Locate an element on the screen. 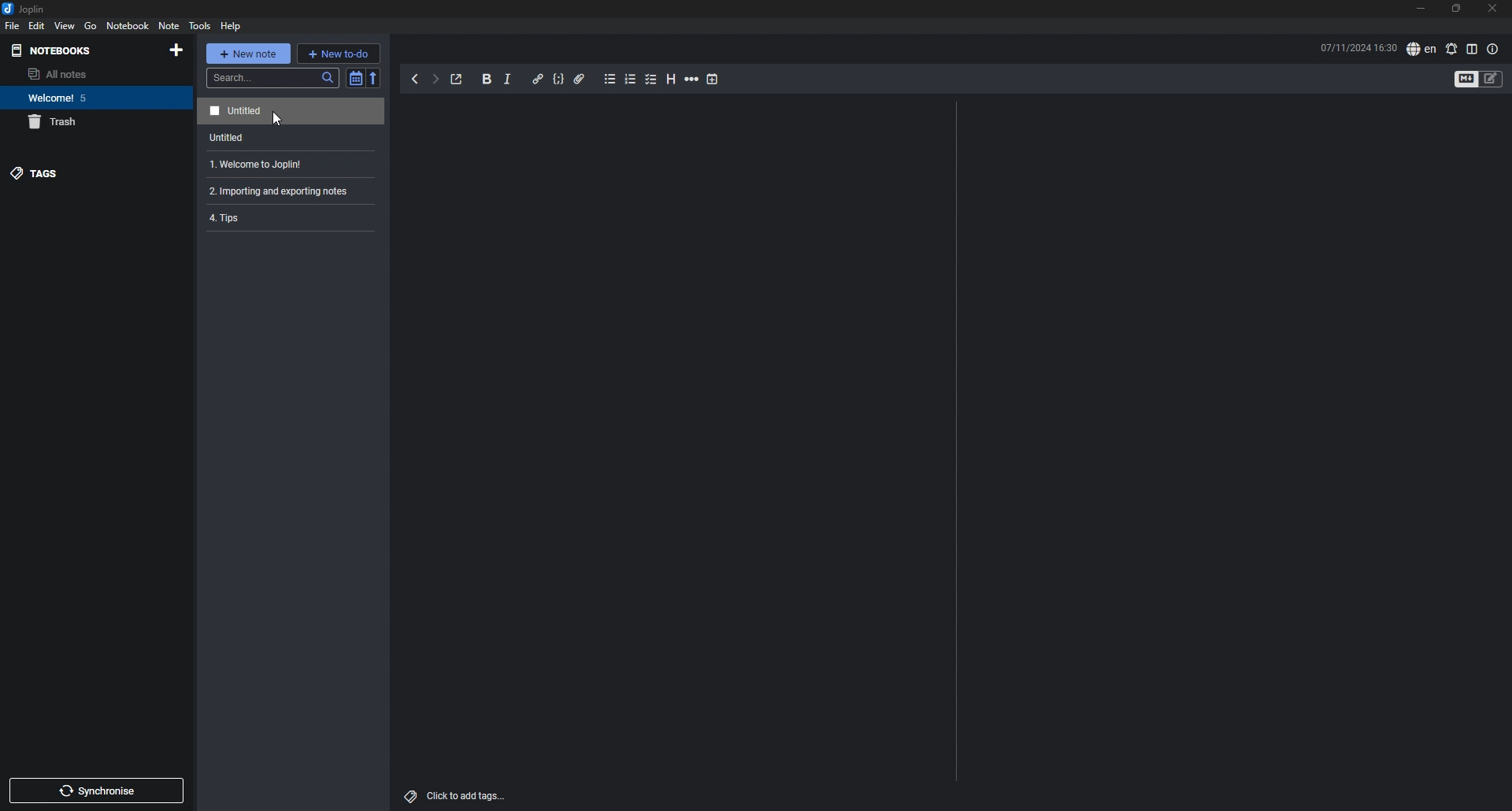  resize is located at coordinates (1455, 9).